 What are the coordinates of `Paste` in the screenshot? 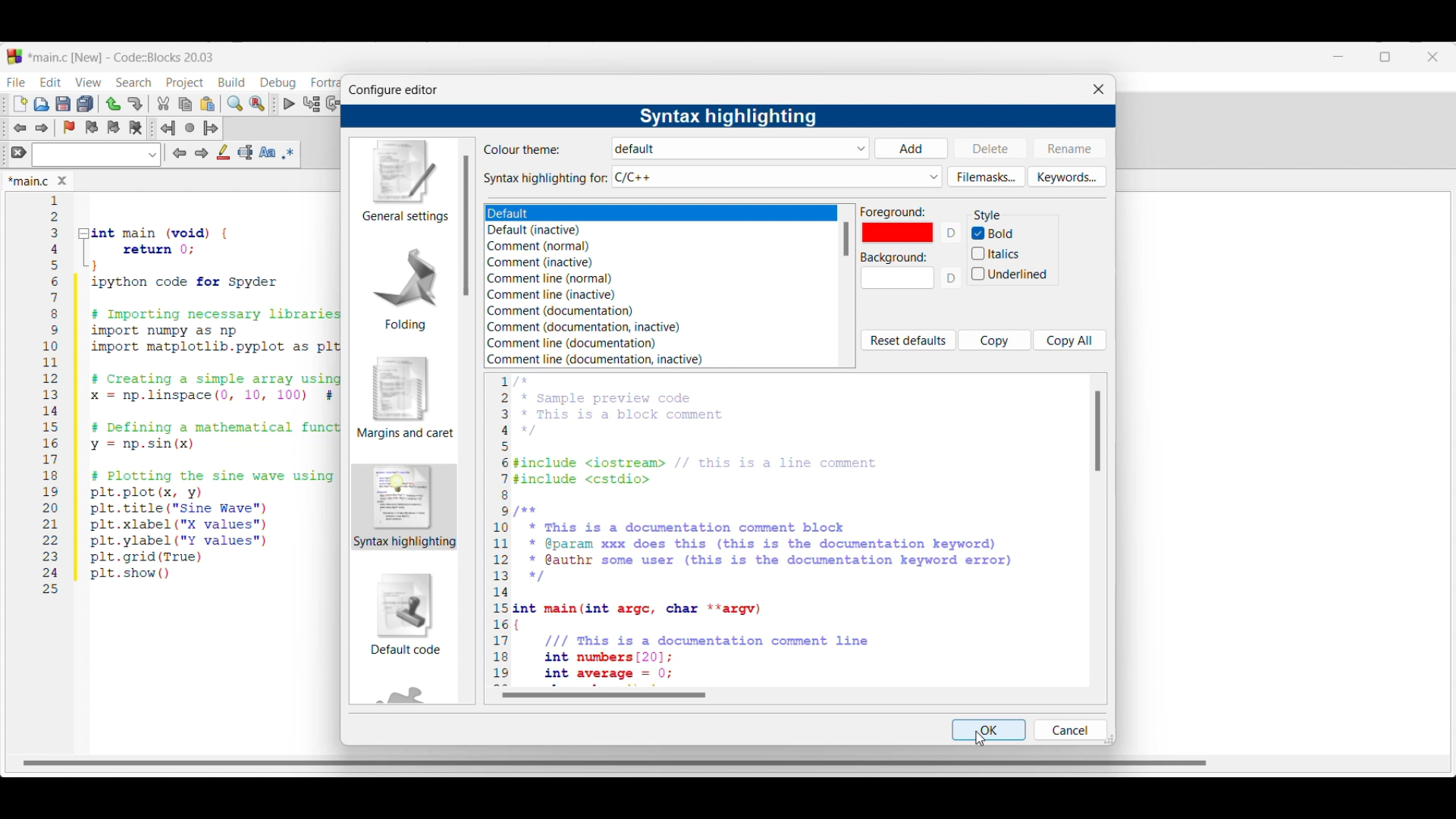 It's located at (208, 104).